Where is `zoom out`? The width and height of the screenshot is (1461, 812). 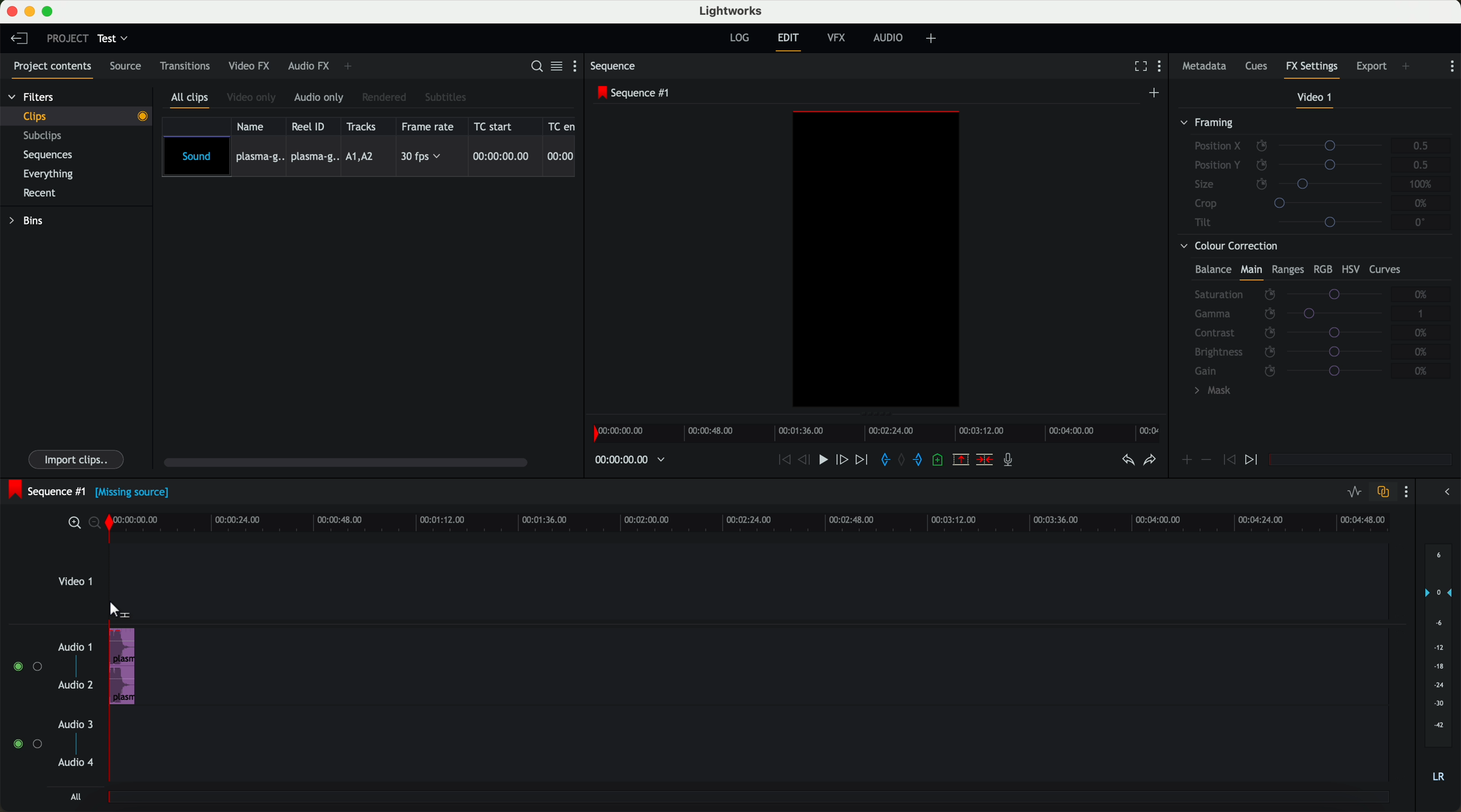
zoom out is located at coordinates (98, 525).